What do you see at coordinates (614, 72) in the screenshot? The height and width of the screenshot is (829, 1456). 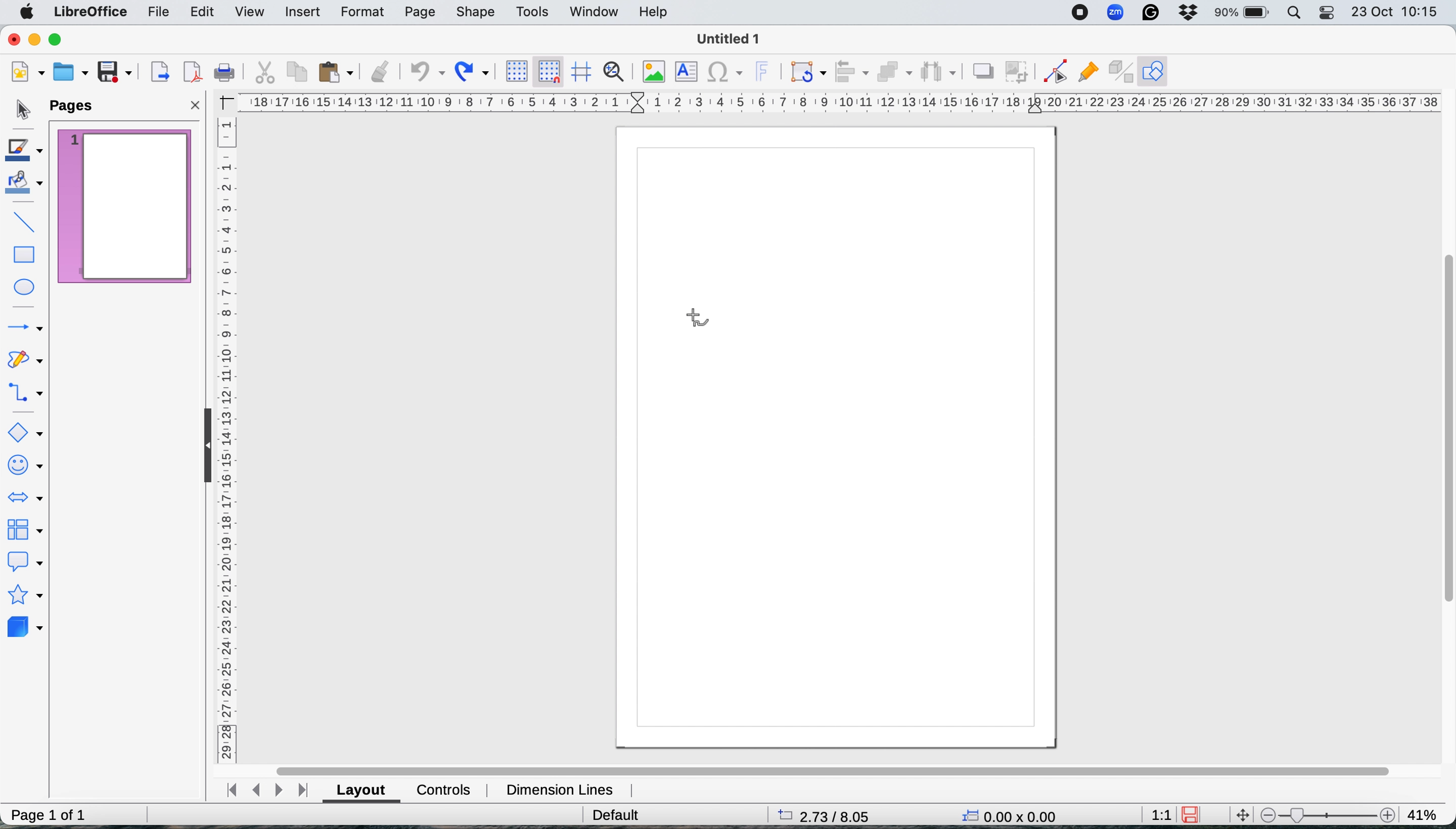 I see `zoom and pan` at bounding box center [614, 72].